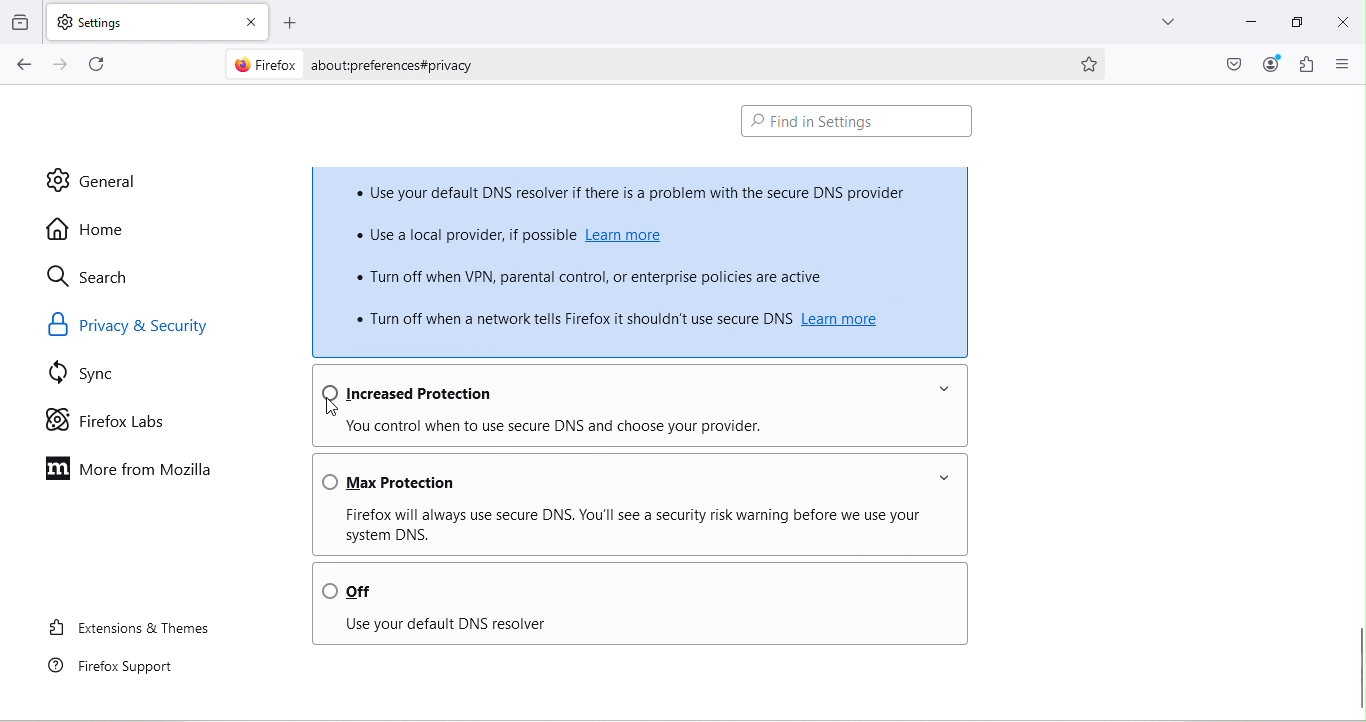 The width and height of the screenshot is (1366, 722). Describe the element at coordinates (609, 275) in the screenshot. I see `« Turn off when VPN, parental control, or enterprise policies are active` at that location.